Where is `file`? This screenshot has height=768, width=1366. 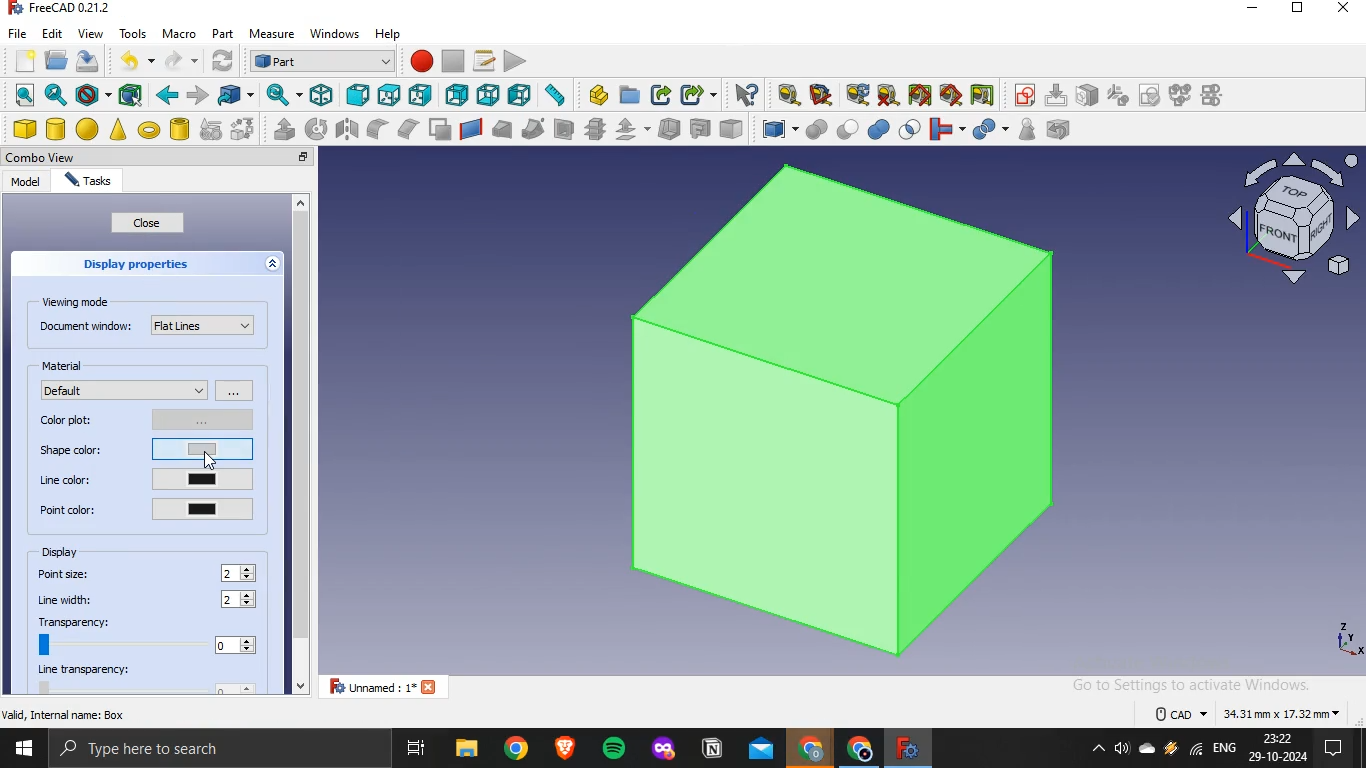
file is located at coordinates (18, 32).